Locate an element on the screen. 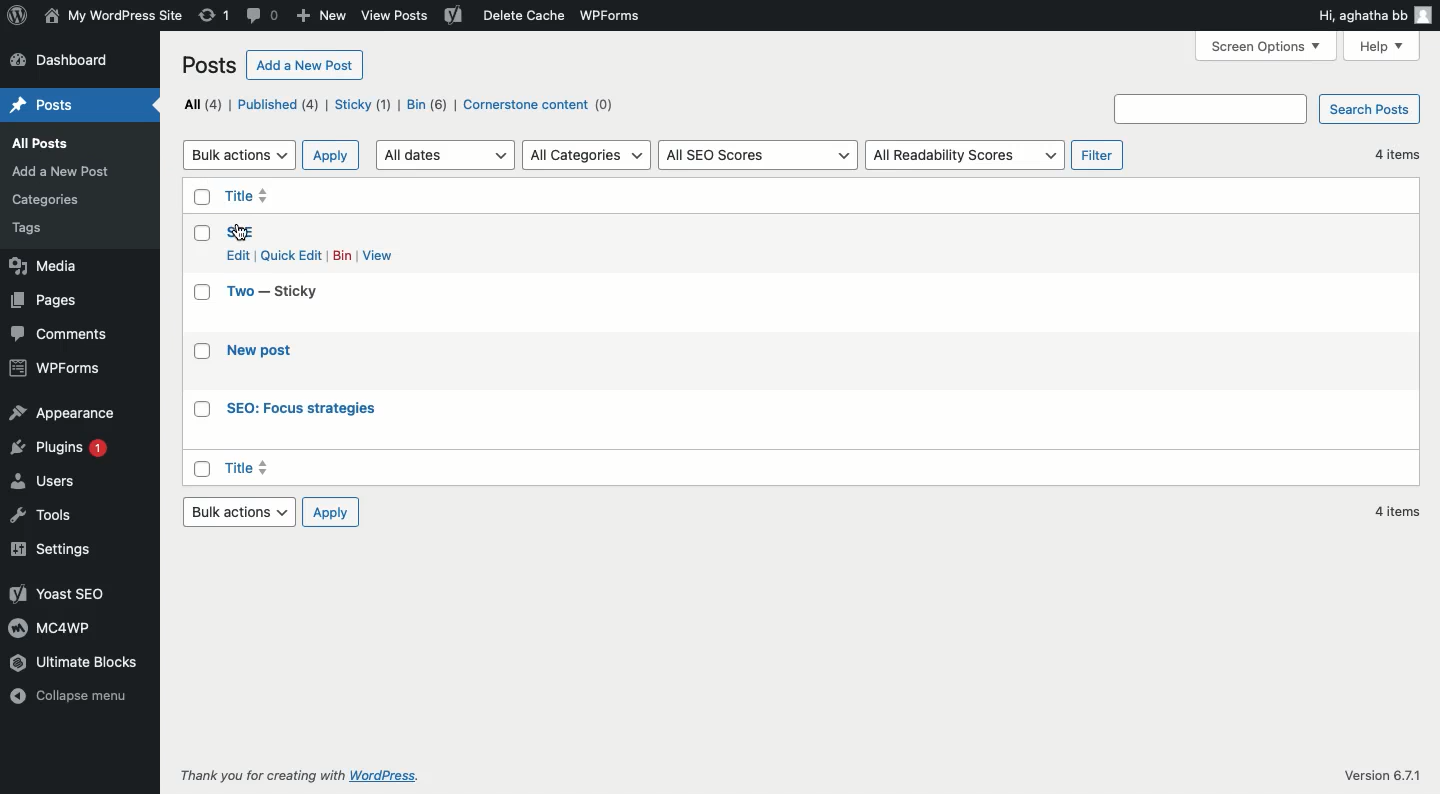 The height and width of the screenshot is (794, 1440). New is located at coordinates (322, 17).